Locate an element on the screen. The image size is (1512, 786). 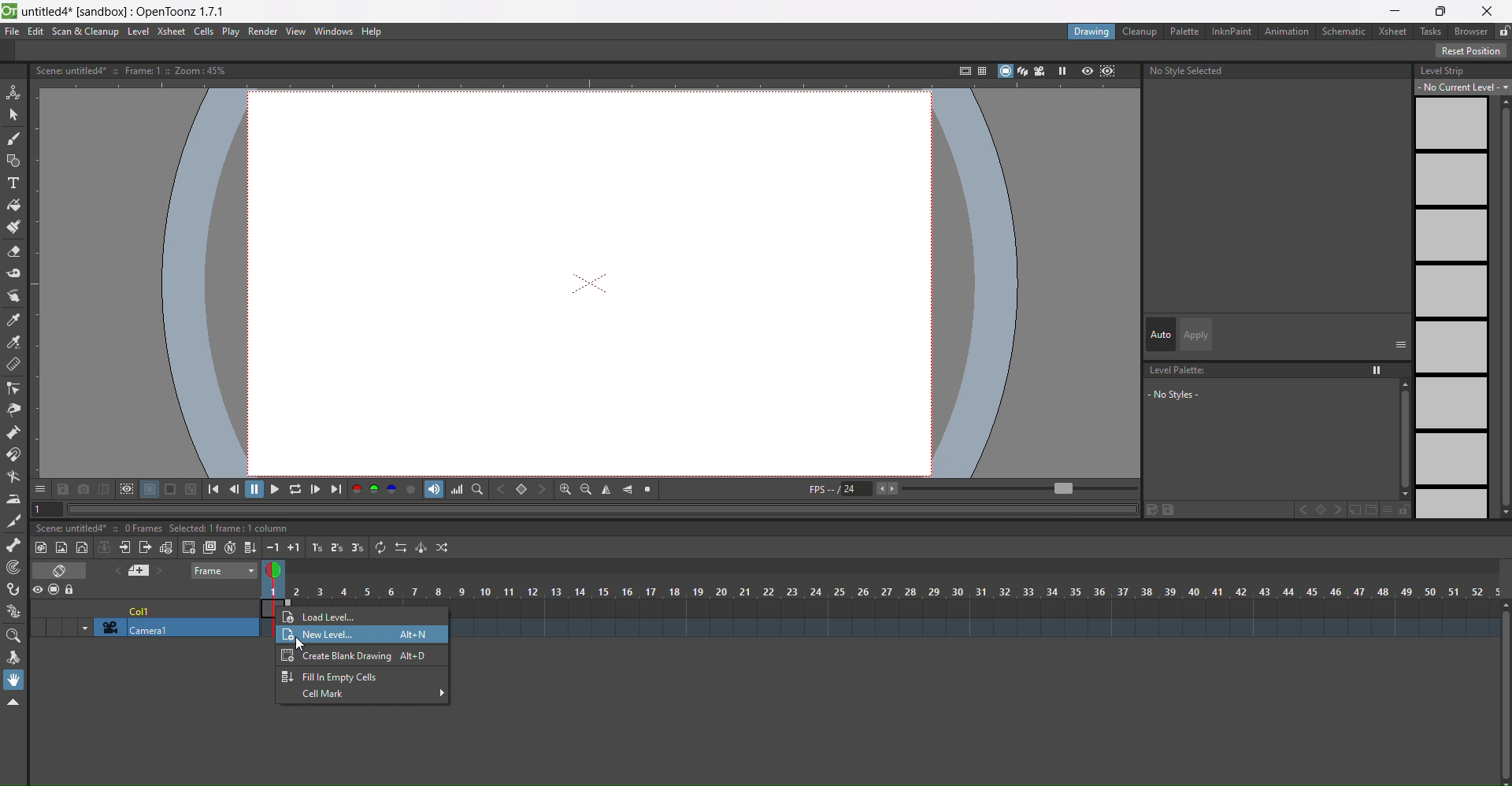
edit is located at coordinates (1162, 510).